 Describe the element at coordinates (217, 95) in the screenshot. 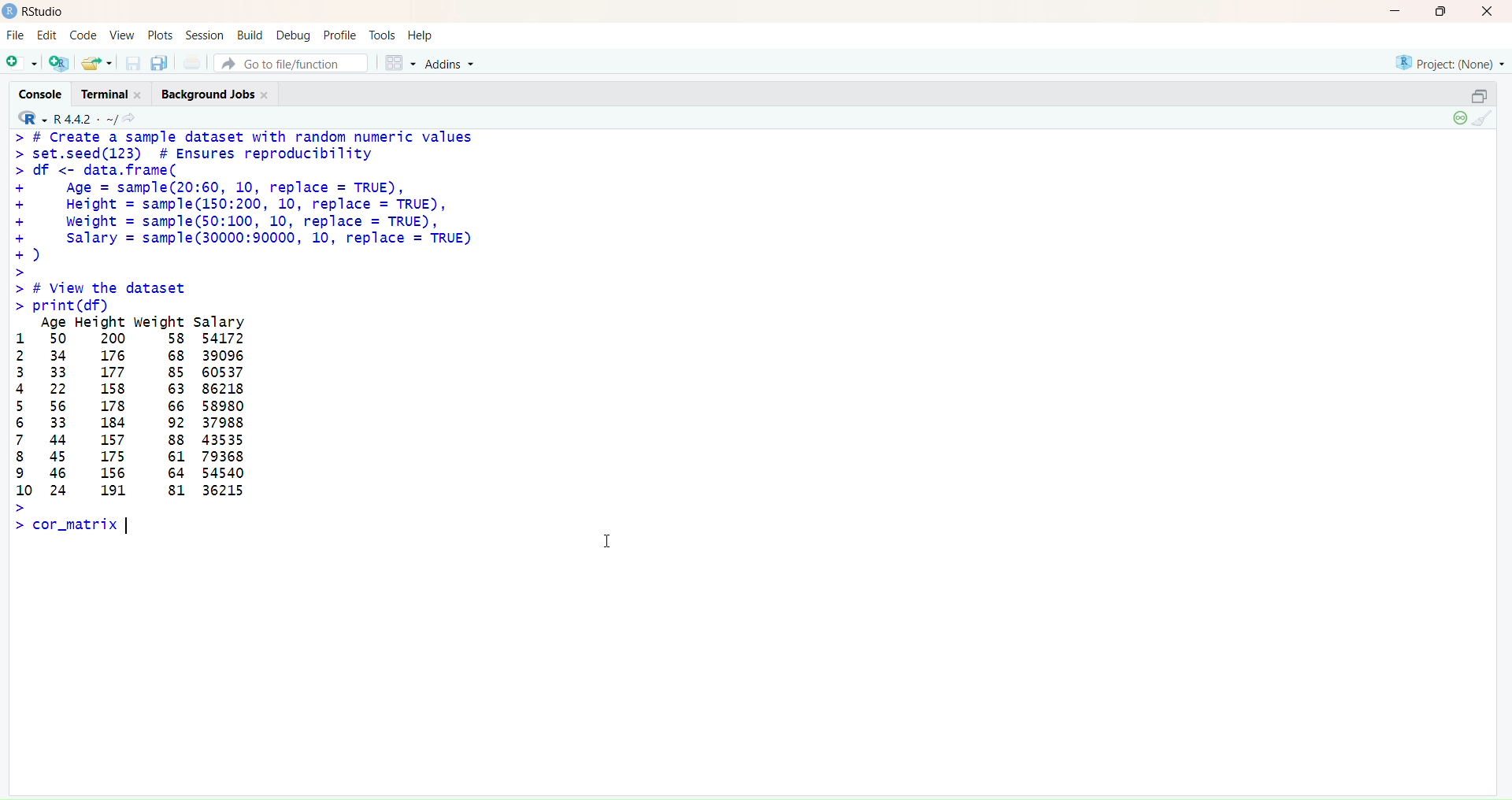

I see `Background jobs` at that location.